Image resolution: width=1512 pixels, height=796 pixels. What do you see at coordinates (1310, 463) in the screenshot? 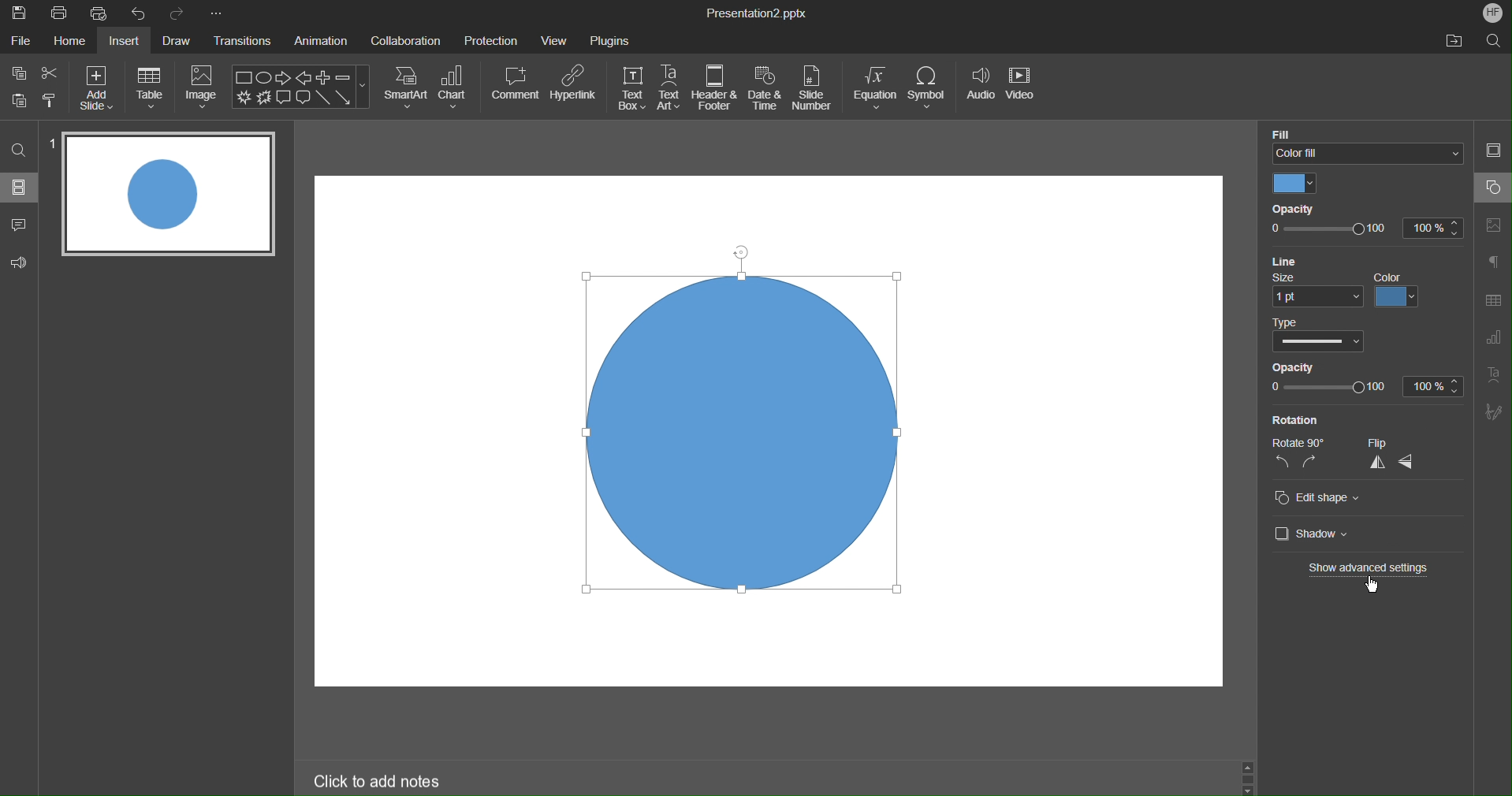
I see `right` at bounding box center [1310, 463].